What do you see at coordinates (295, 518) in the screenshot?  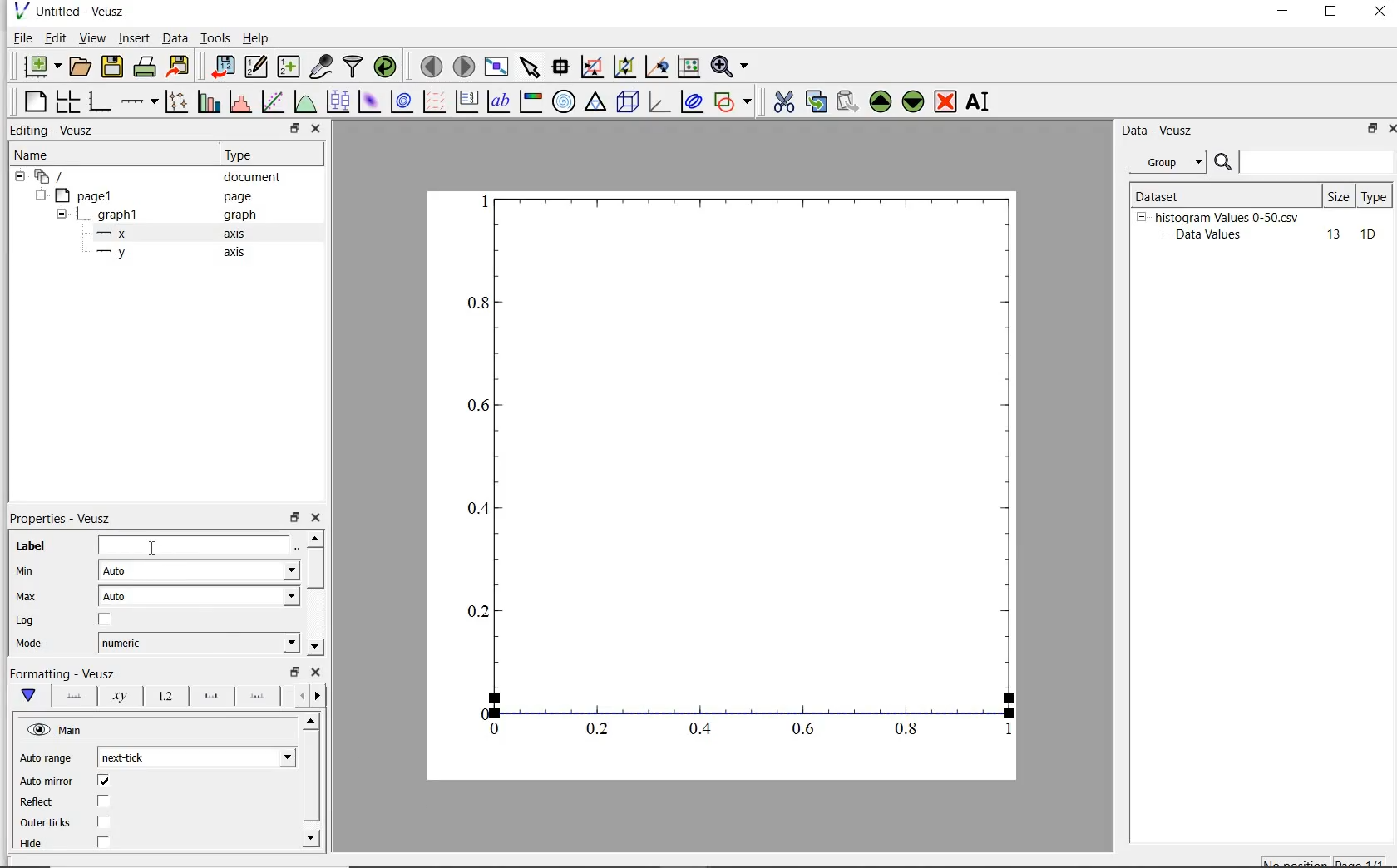 I see `restore down` at bounding box center [295, 518].